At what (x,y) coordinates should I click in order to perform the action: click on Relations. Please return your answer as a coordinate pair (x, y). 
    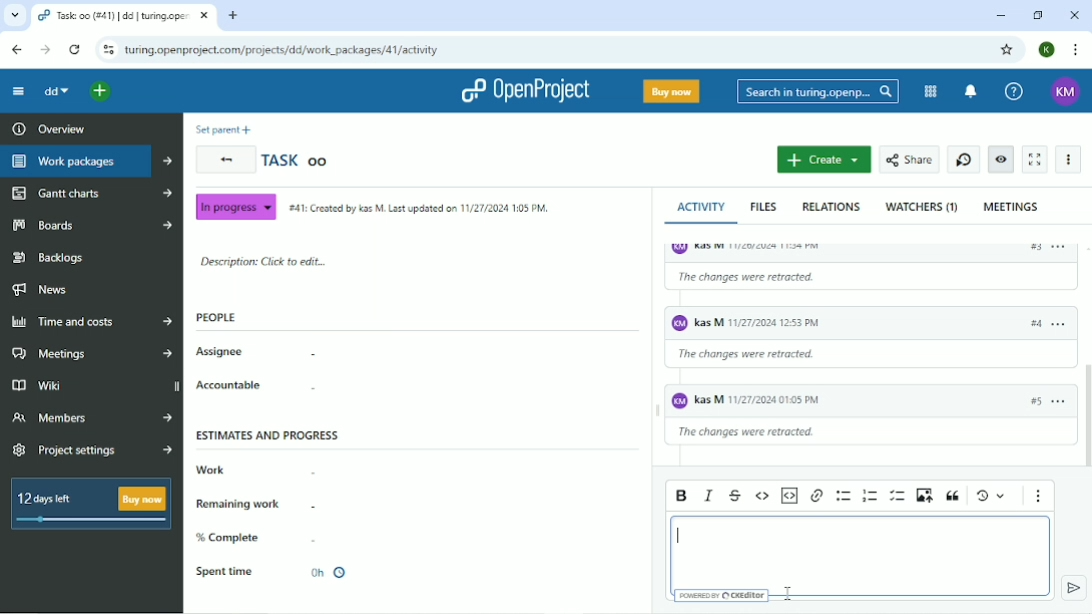
    Looking at the image, I should click on (831, 206).